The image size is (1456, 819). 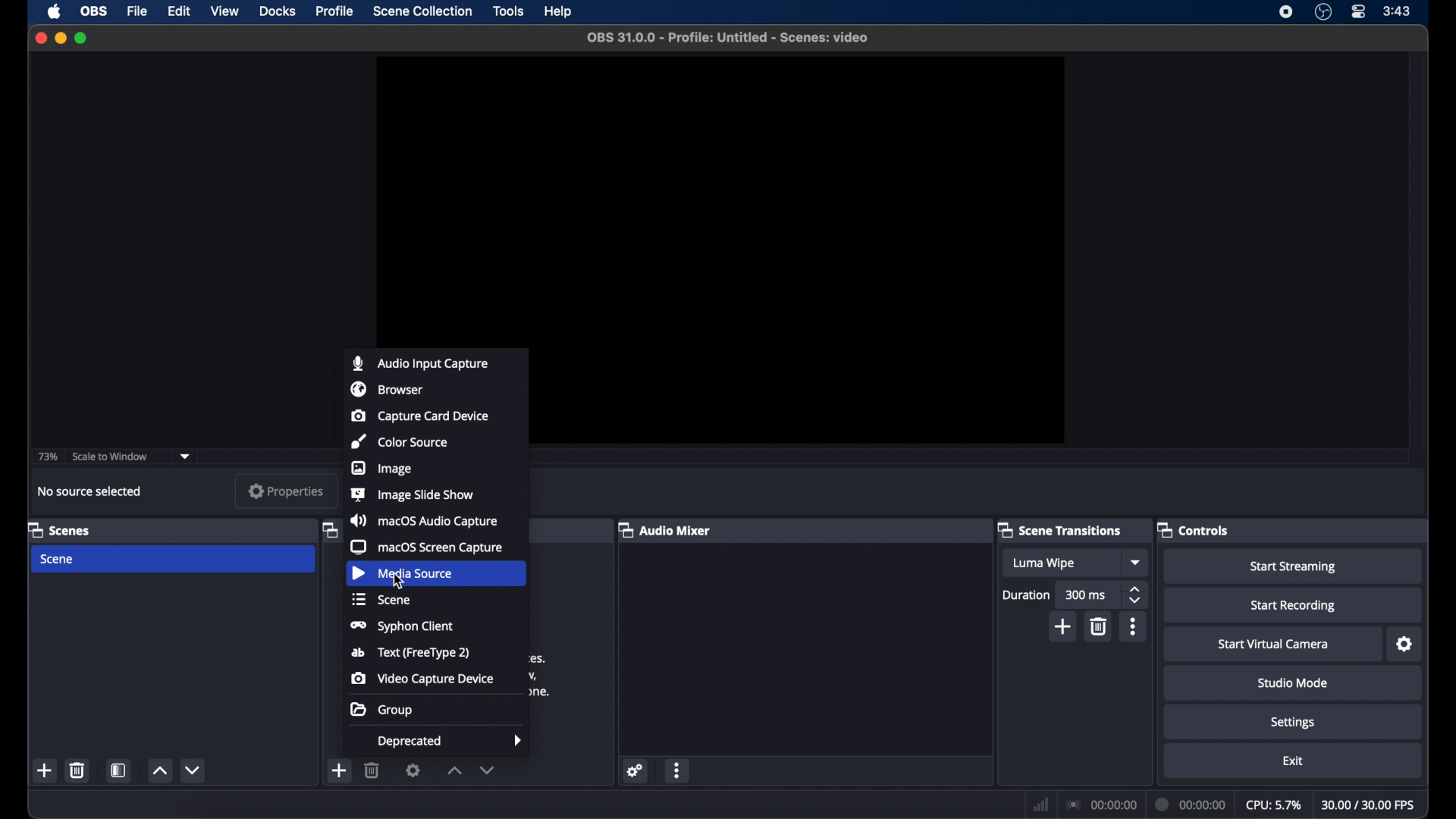 I want to click on stepper buttons, so click(x=1134, y=595).